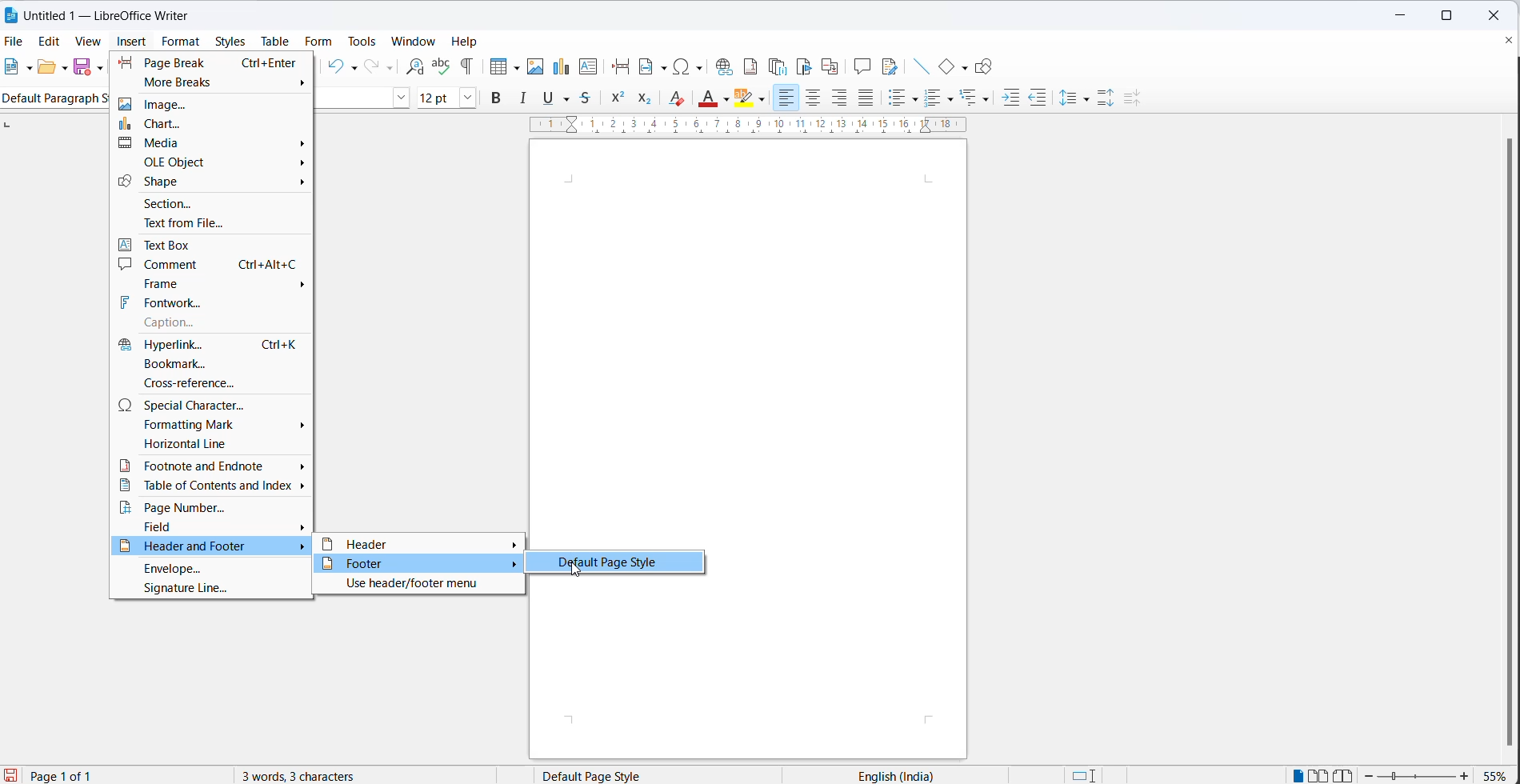  Describe the element at coordinates (899, 99) in the screenshot. I see `toggle ordered list ` at that location.